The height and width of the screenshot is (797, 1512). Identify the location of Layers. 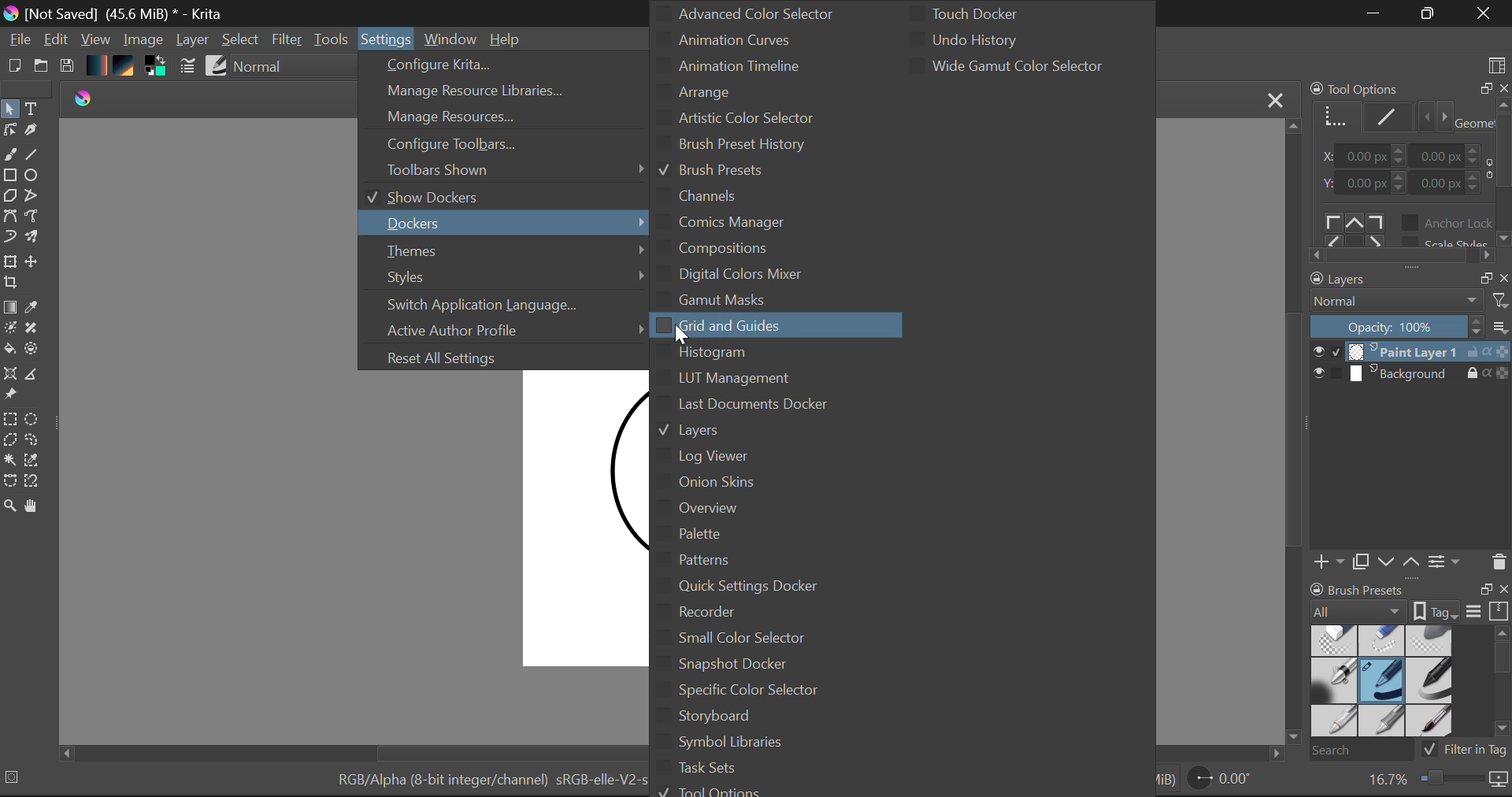
(816, 432).